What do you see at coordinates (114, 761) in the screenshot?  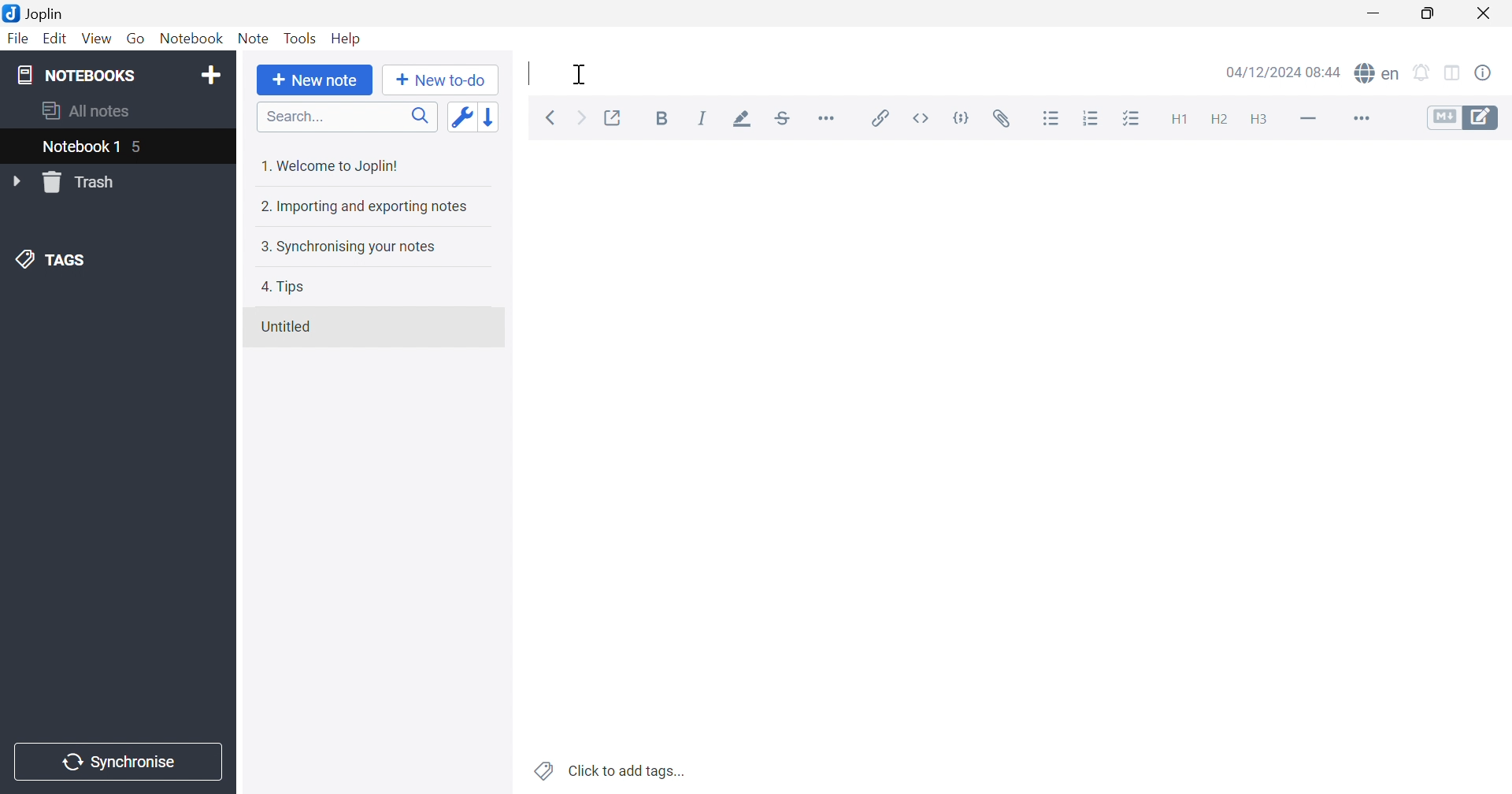 I see `Synchronise` at bounding box center [114, 761].